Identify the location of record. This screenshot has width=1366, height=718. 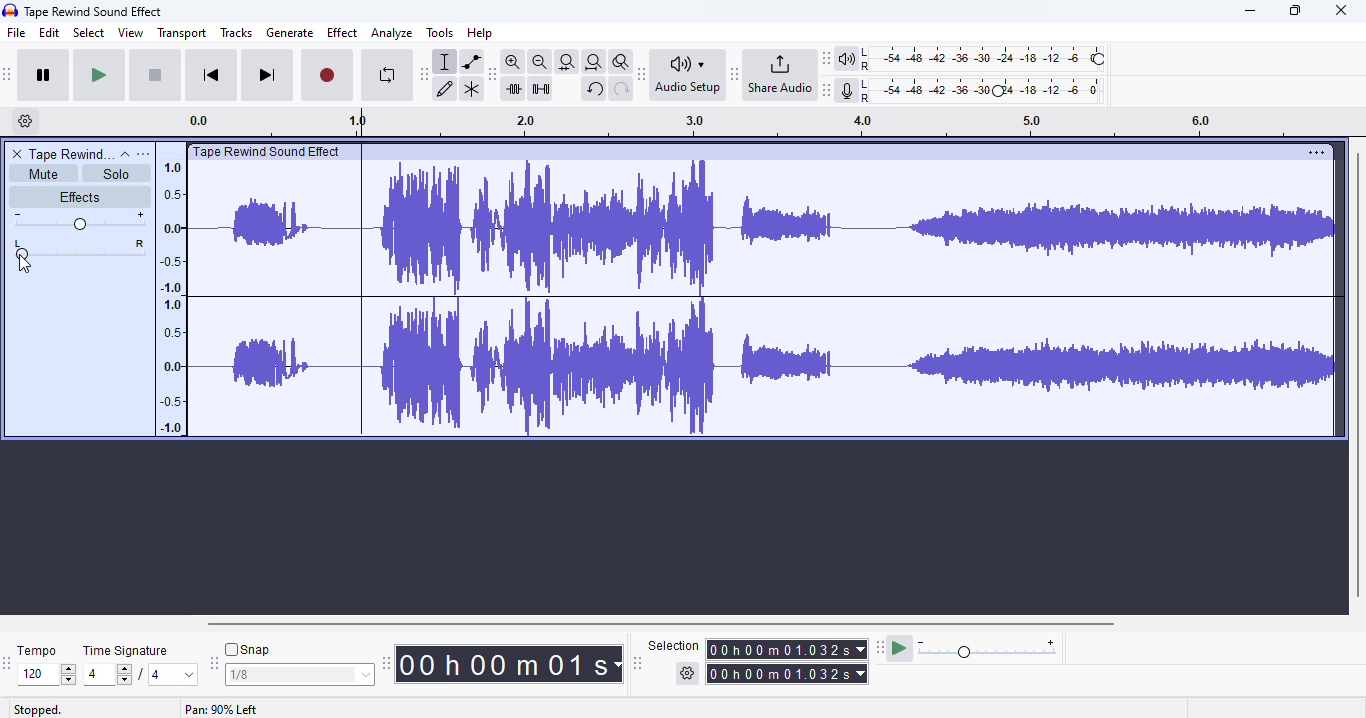
(327, 76).